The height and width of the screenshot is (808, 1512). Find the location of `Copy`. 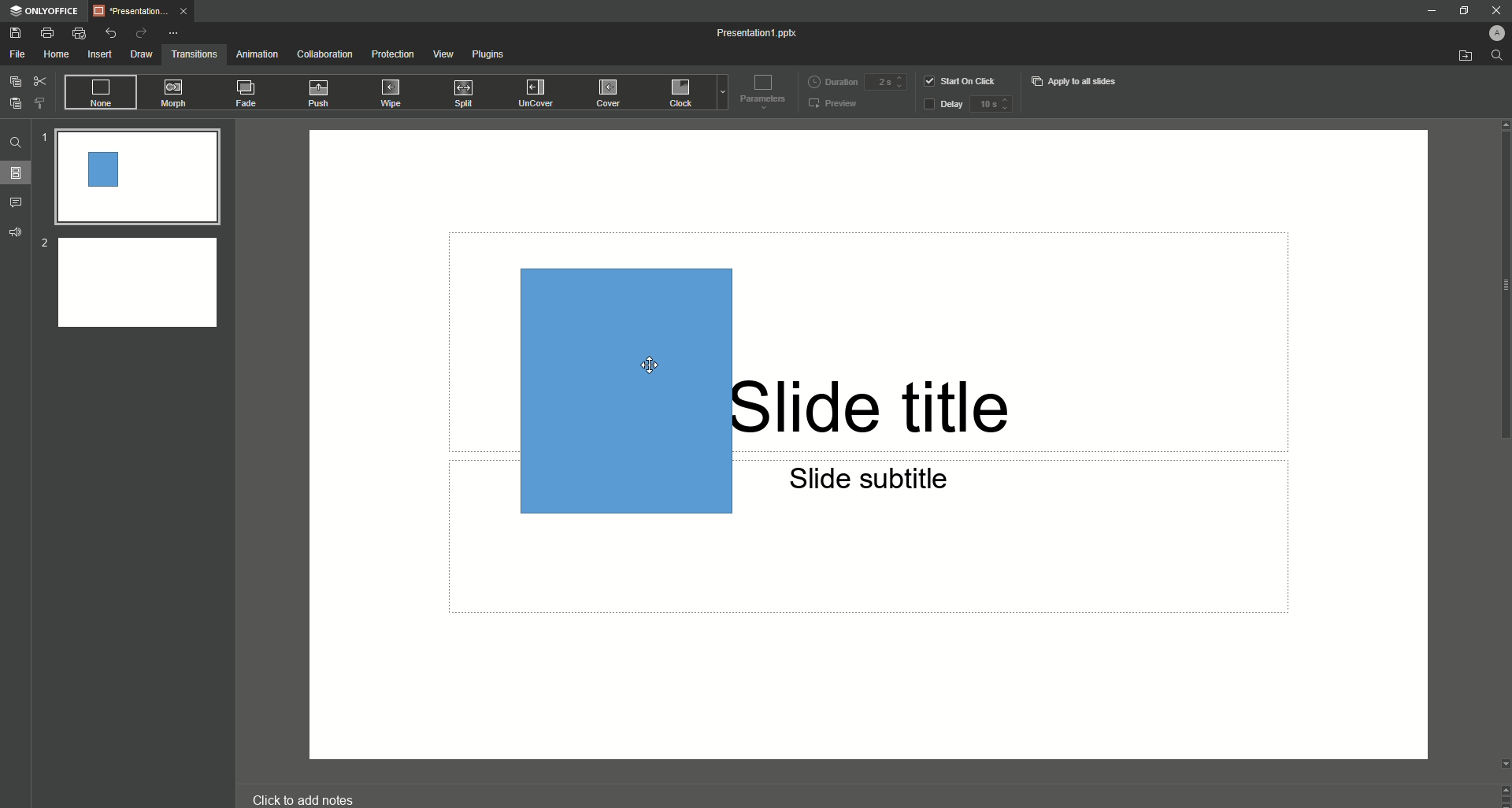

Copy is located at coordinates (13, 83).